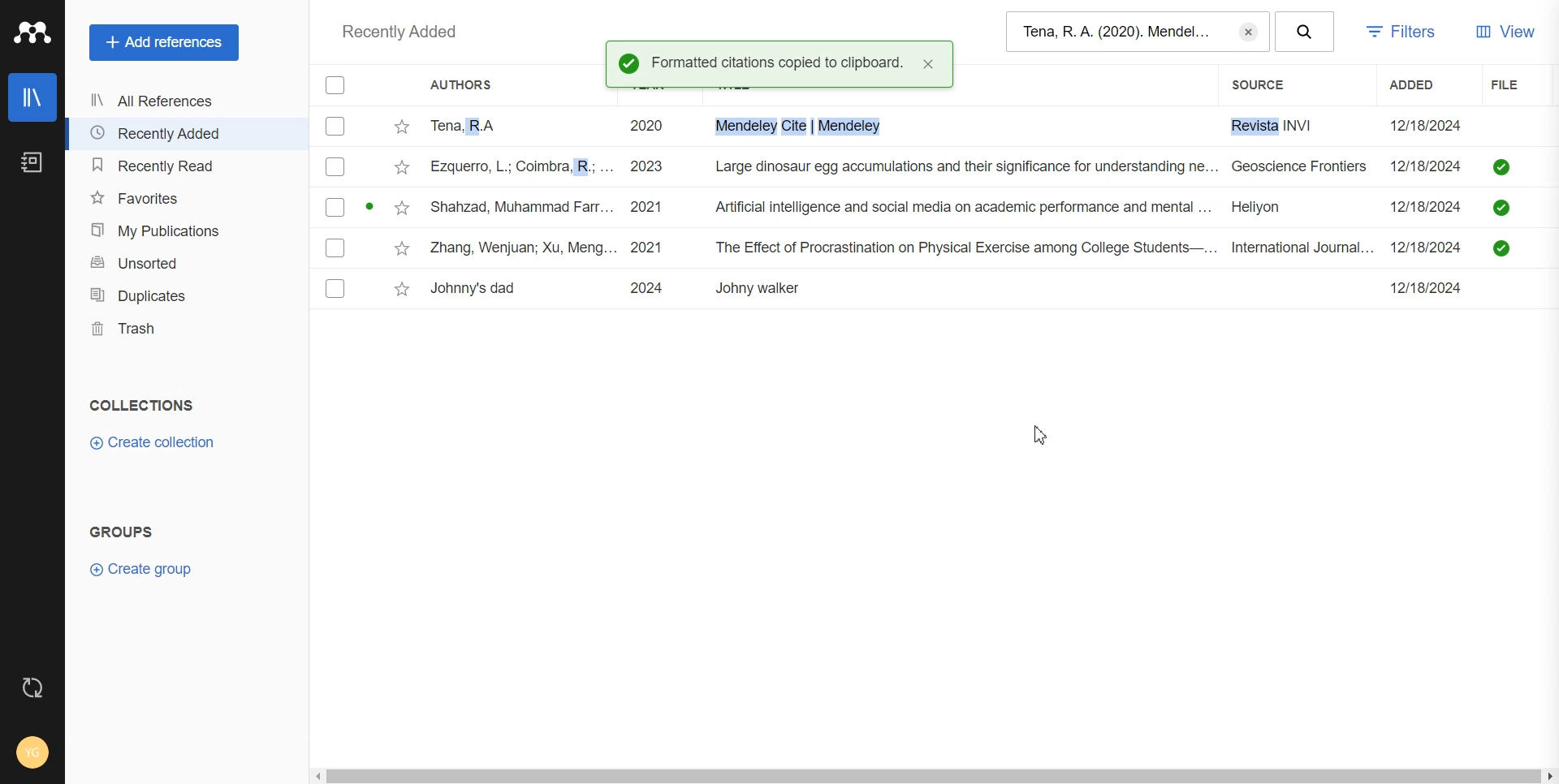 The image size is (1559, 784). Describe the element at coordinates (188, 328) in the screenshot. I see `Trash` at that location.